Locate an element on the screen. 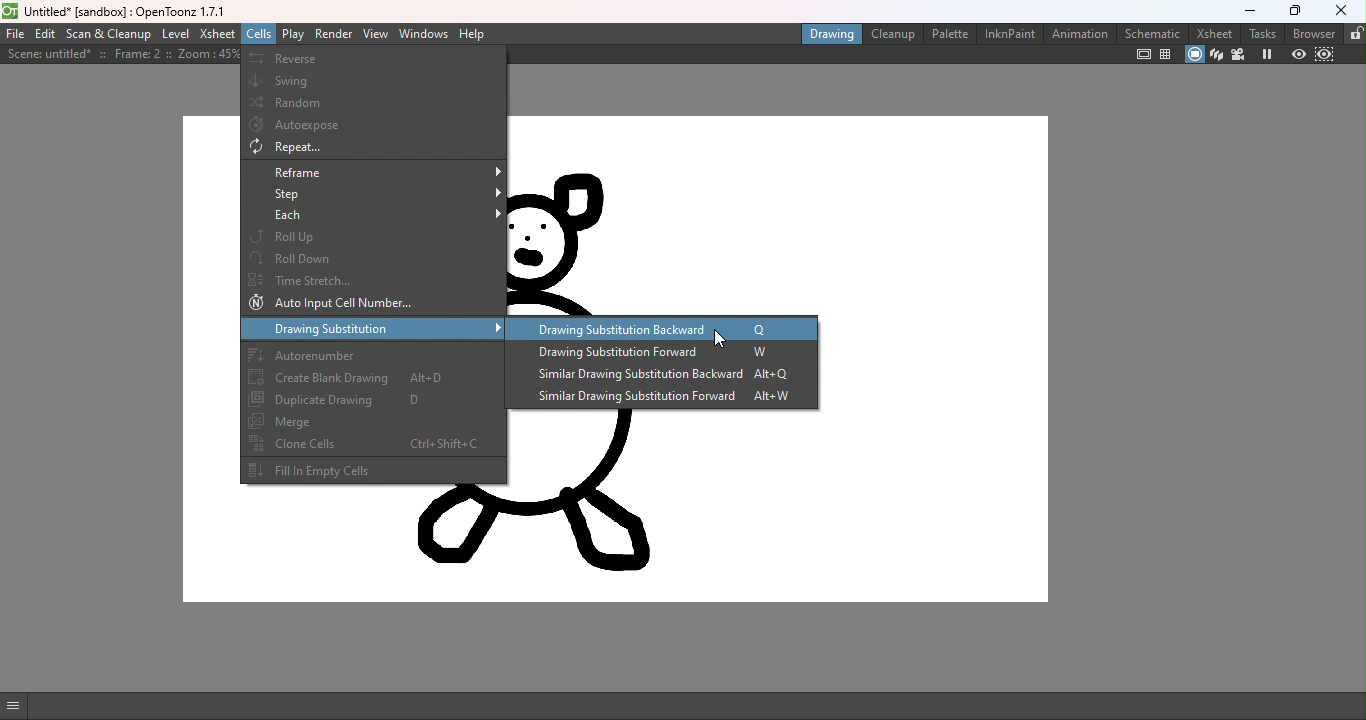 Image resolution: width=1366 pixels, height=720 pixels. Duplicate drawing is located at coordinates (371, 401).